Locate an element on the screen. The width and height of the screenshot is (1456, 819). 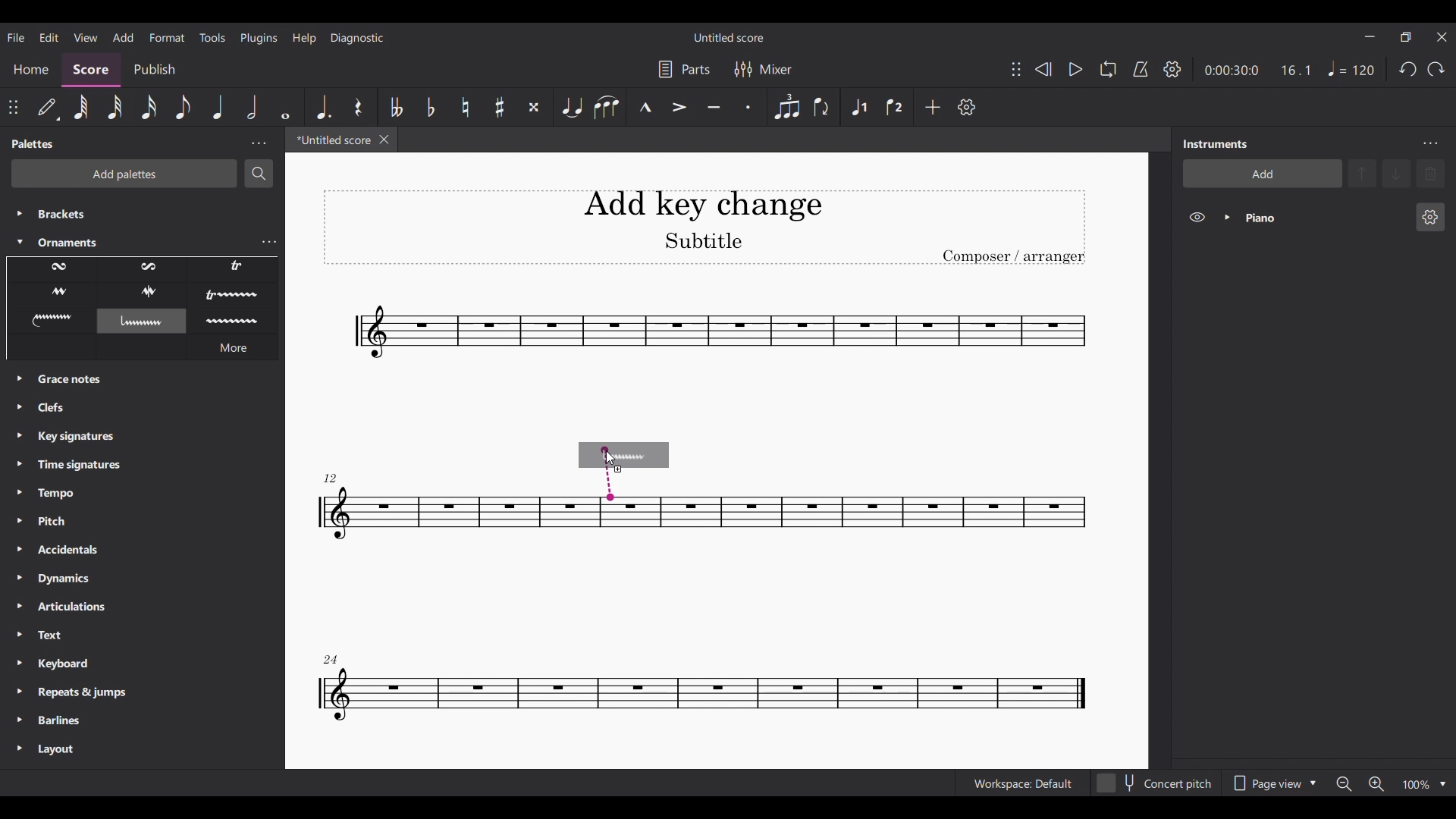
Selected ornament preview is located at coordinates (642, 456).